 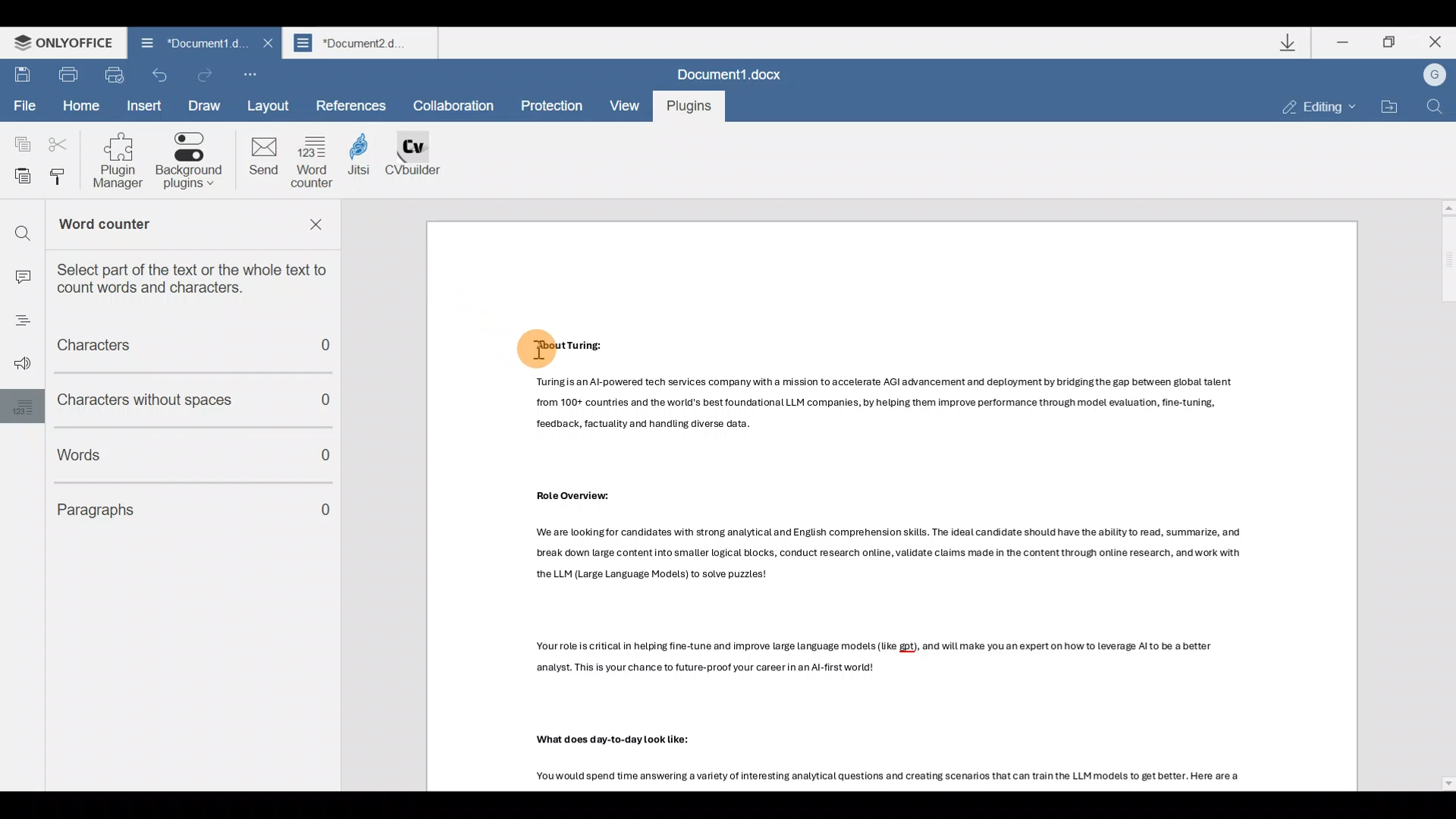 I want to click on Open file location, so click(x=1392, y=105).